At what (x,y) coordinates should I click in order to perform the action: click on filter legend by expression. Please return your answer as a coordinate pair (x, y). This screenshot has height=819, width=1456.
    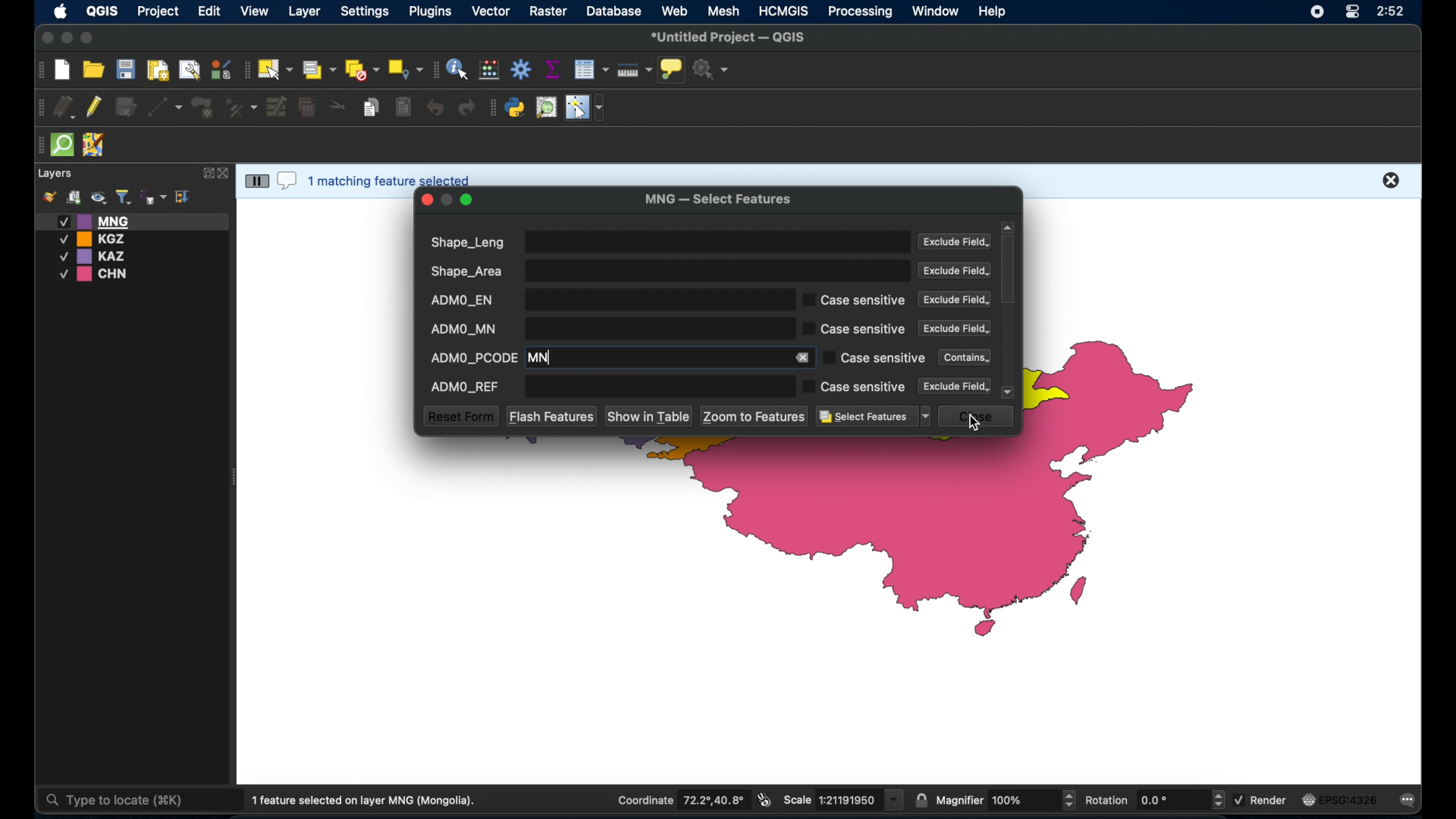
    Looking at the image, I should click on (154, 196).